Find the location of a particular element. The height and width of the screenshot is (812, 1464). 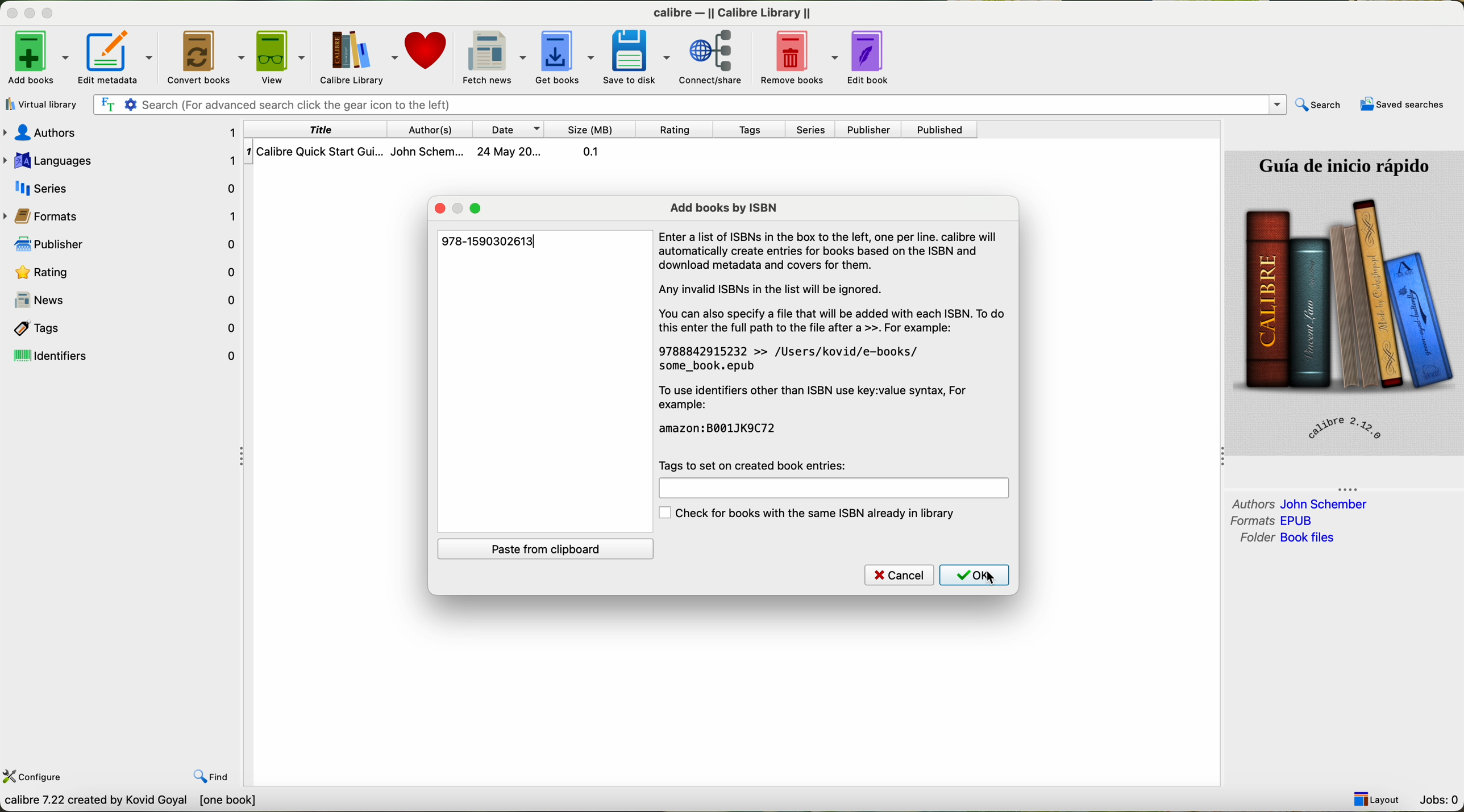

identifiers is located at coordinates (123, 356).